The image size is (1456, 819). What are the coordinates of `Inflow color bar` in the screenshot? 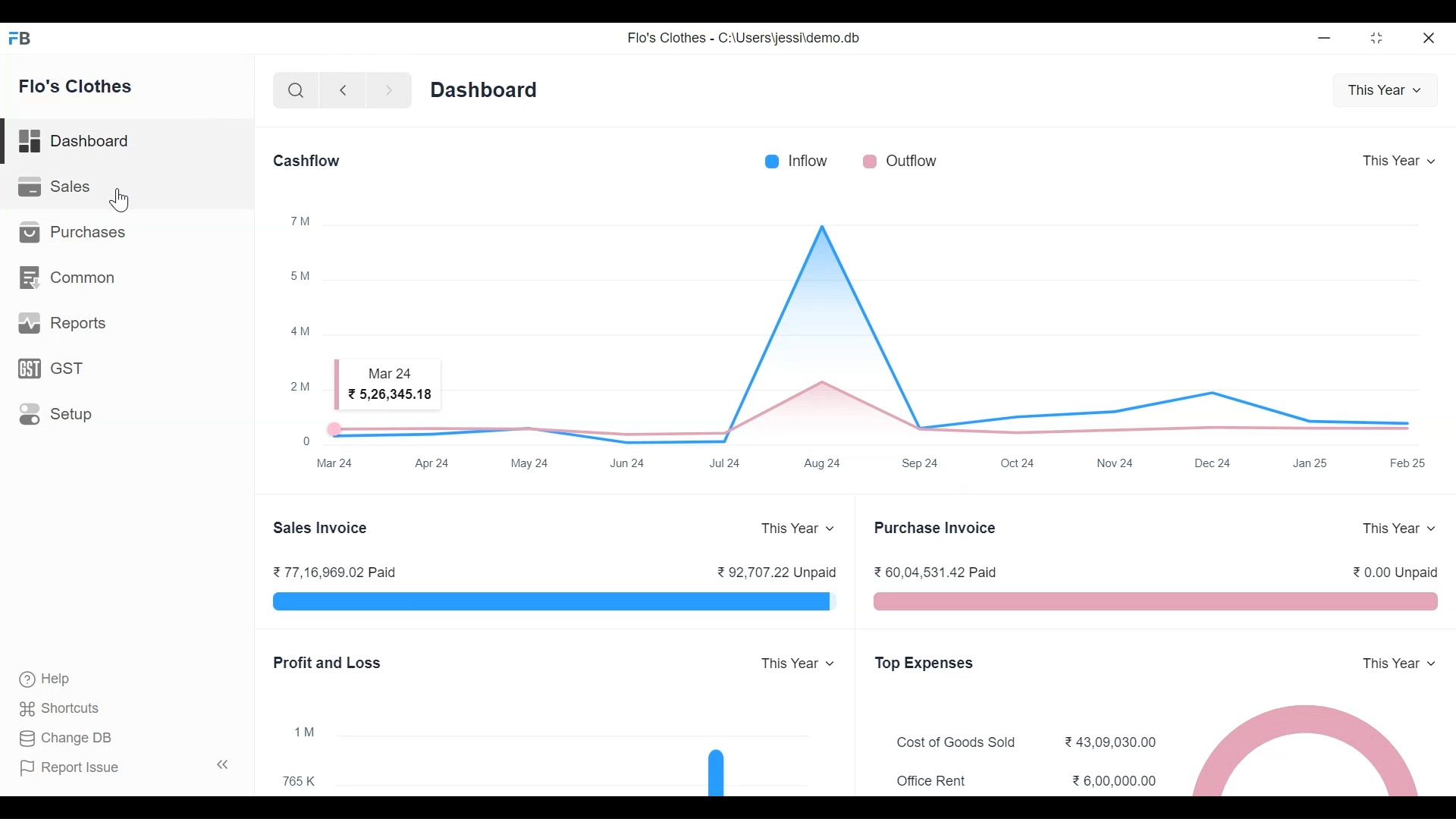 It's located at (771, 159).